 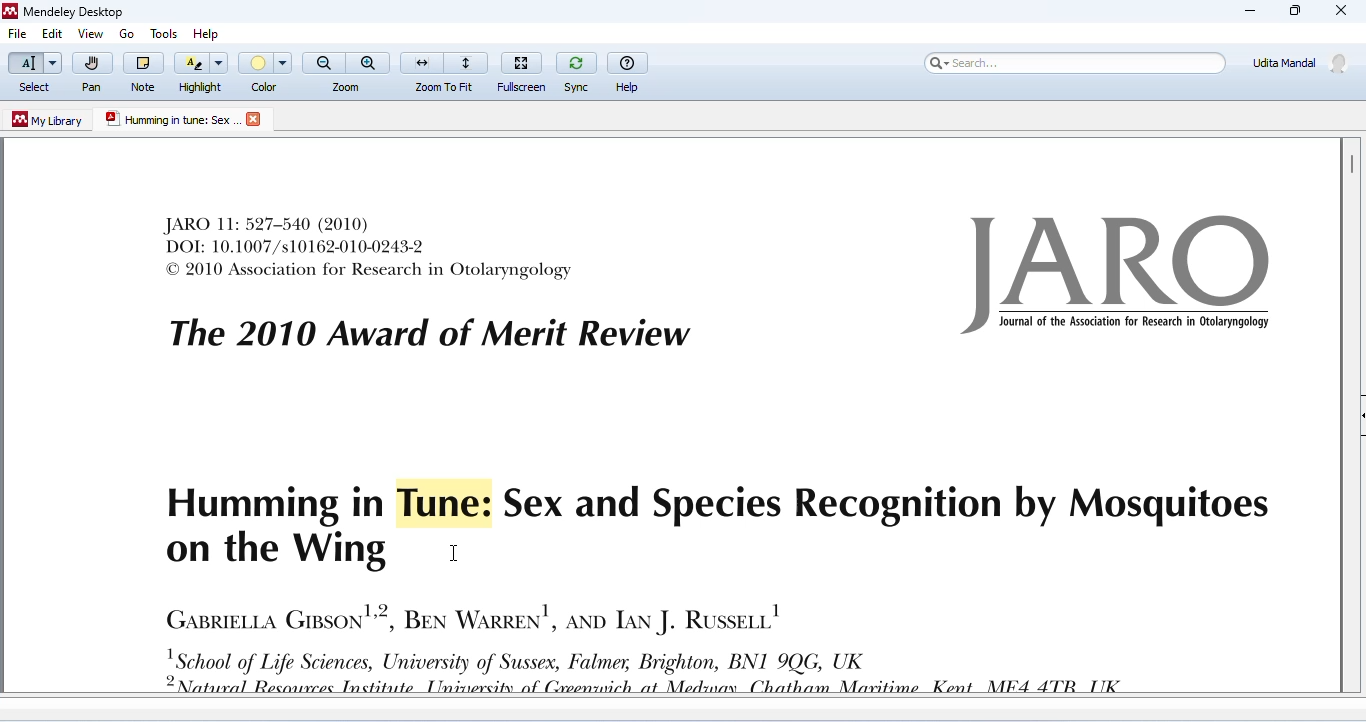 What do you see at coordinates (472, 616) in the screenshot?
I see `GABRIELLA Gisson'2, BEN WARREN, AND IAN J. RUSSELL.` at bounding box center [472, 616].